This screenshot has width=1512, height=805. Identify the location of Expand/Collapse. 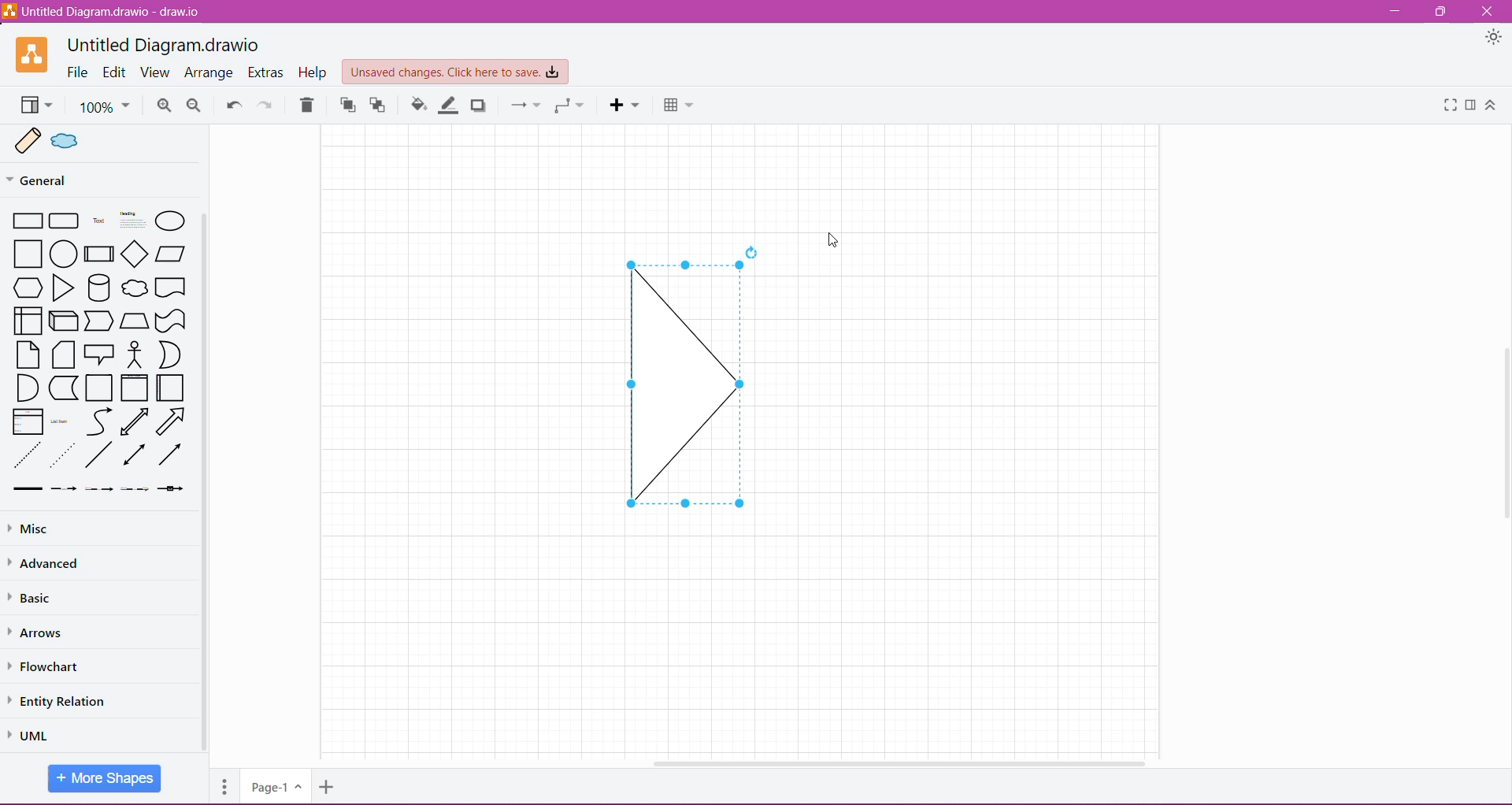
(1495, 106).